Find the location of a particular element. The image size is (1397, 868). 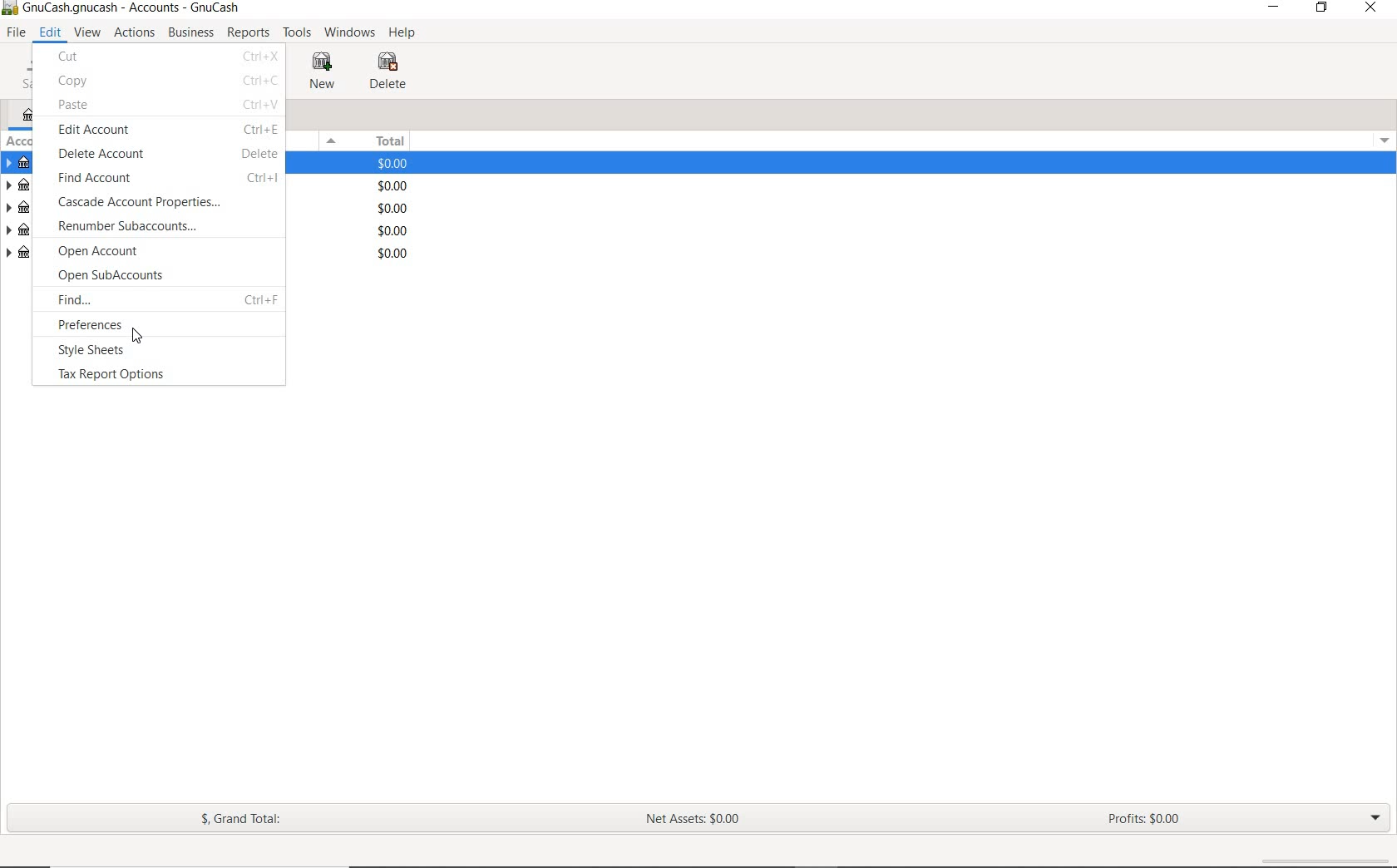

EDIT is located at coordinates (49, 33).